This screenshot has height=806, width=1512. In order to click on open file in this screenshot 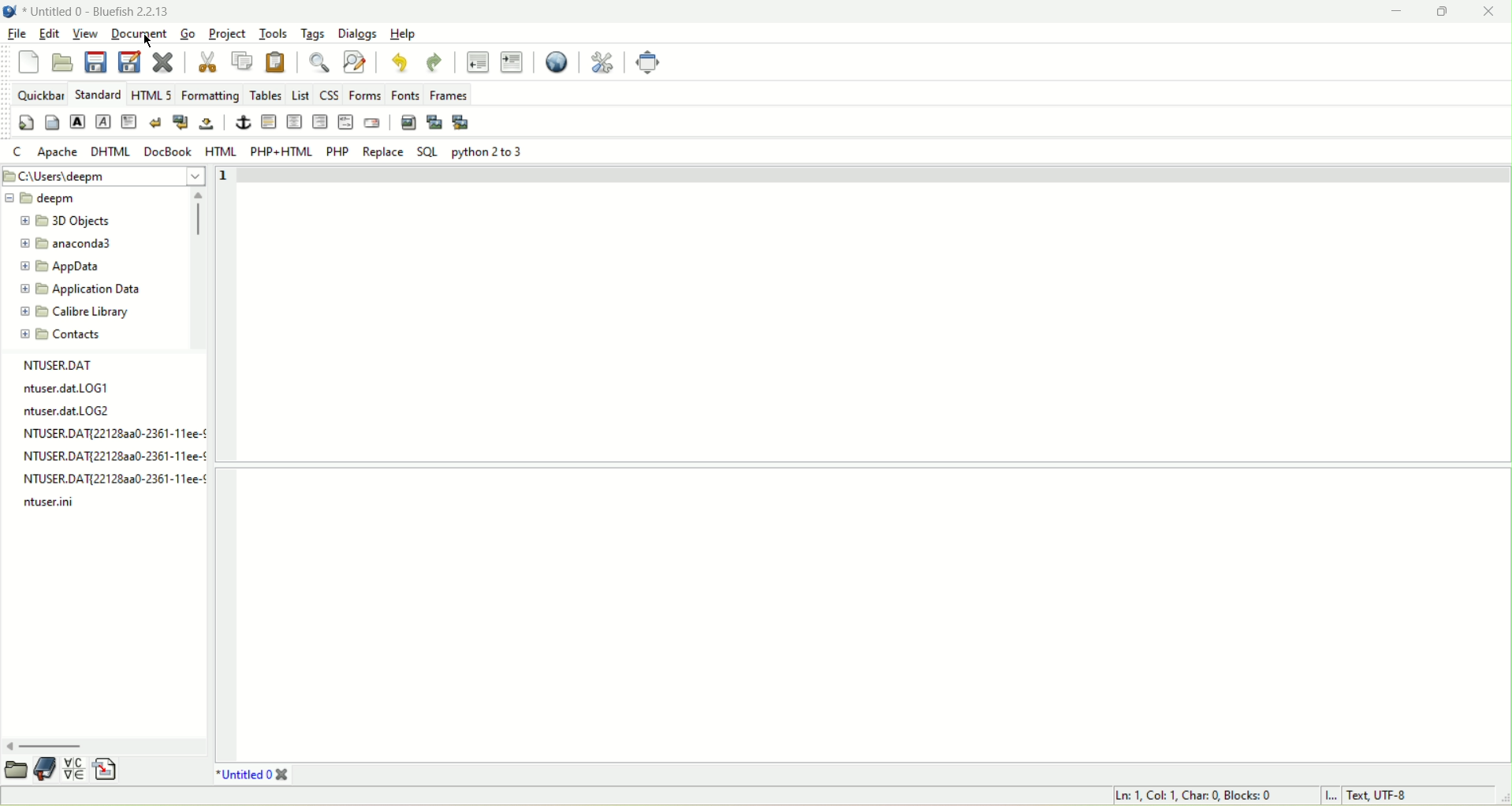, I will do `click(65, 62)`.